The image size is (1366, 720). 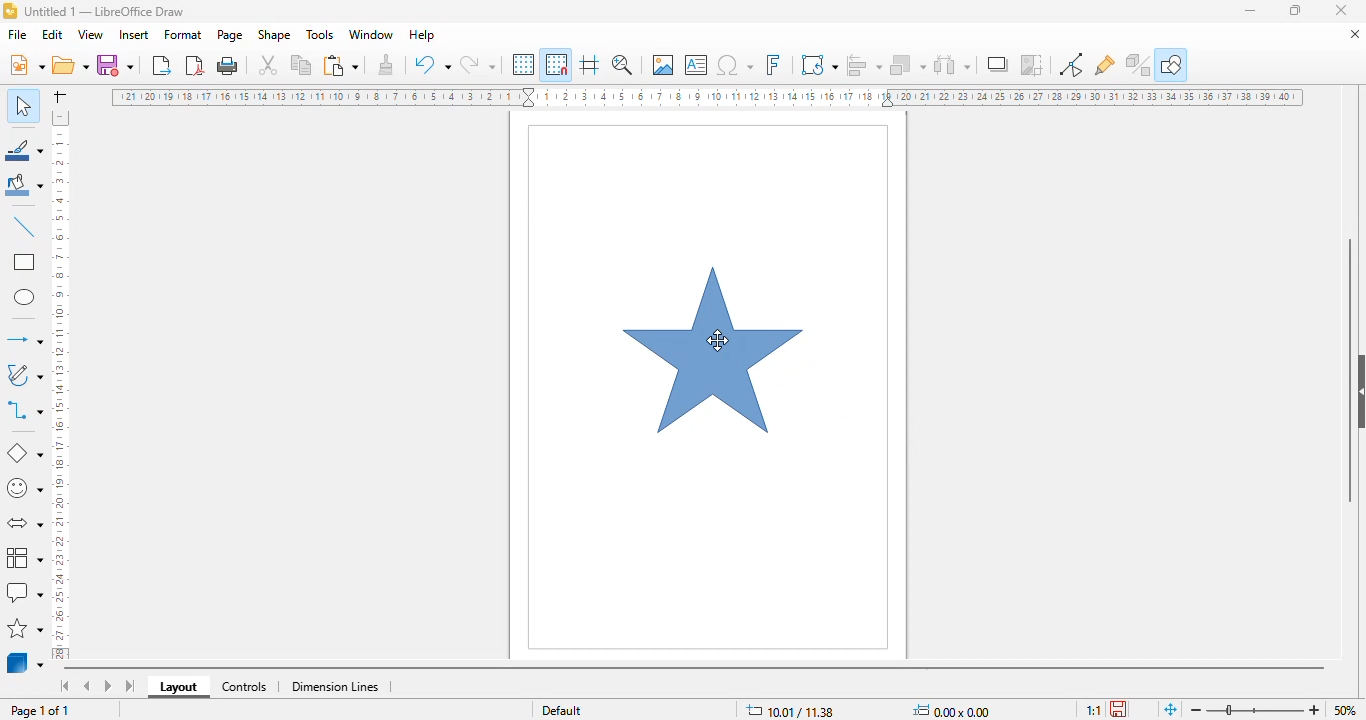 What do you see at coordinates (24, 105) in the screenshot?
I see `select` at bounding box center [24, 105].